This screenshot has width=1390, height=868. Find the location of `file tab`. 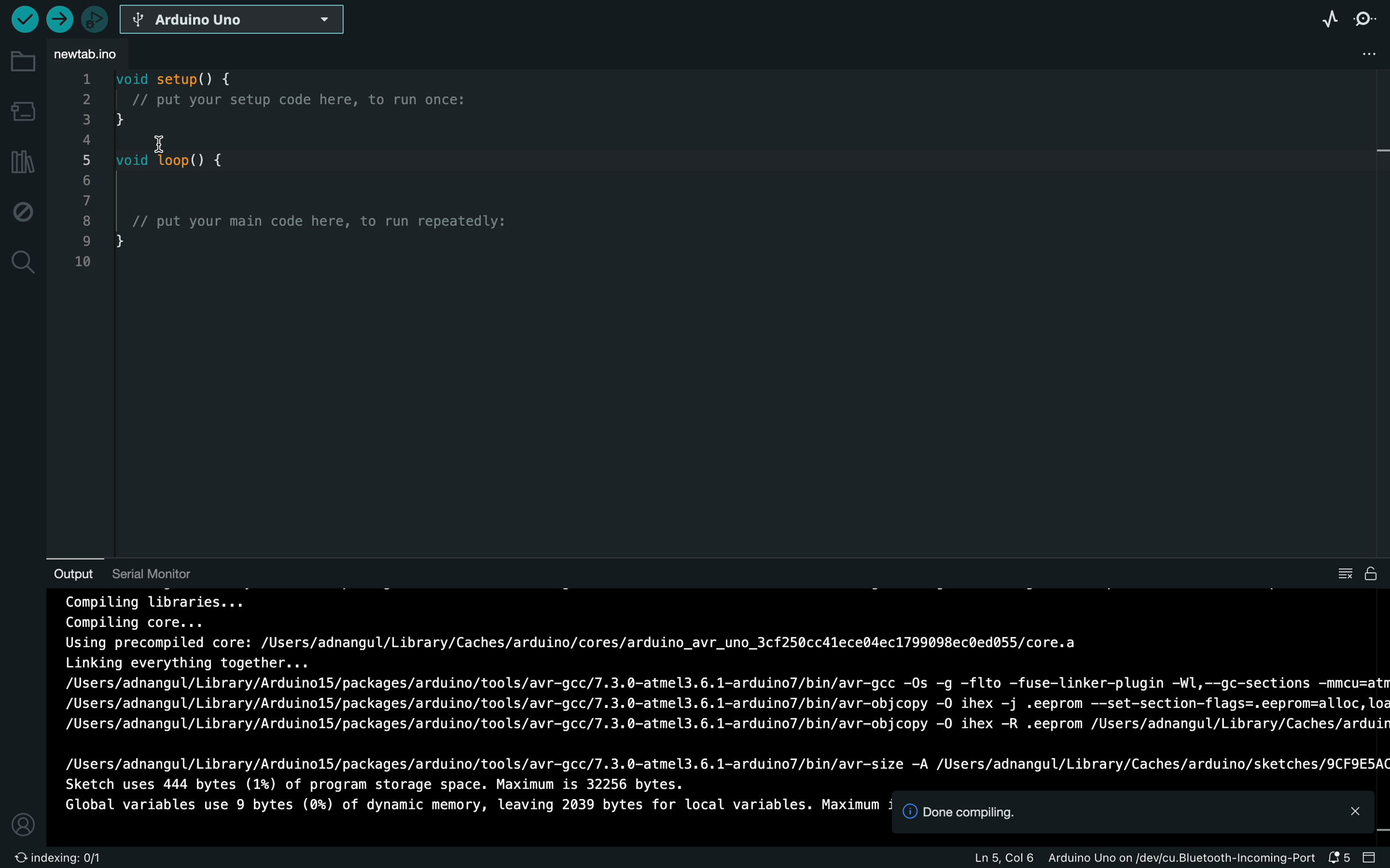

file tab is located at coordinates (94, 53).